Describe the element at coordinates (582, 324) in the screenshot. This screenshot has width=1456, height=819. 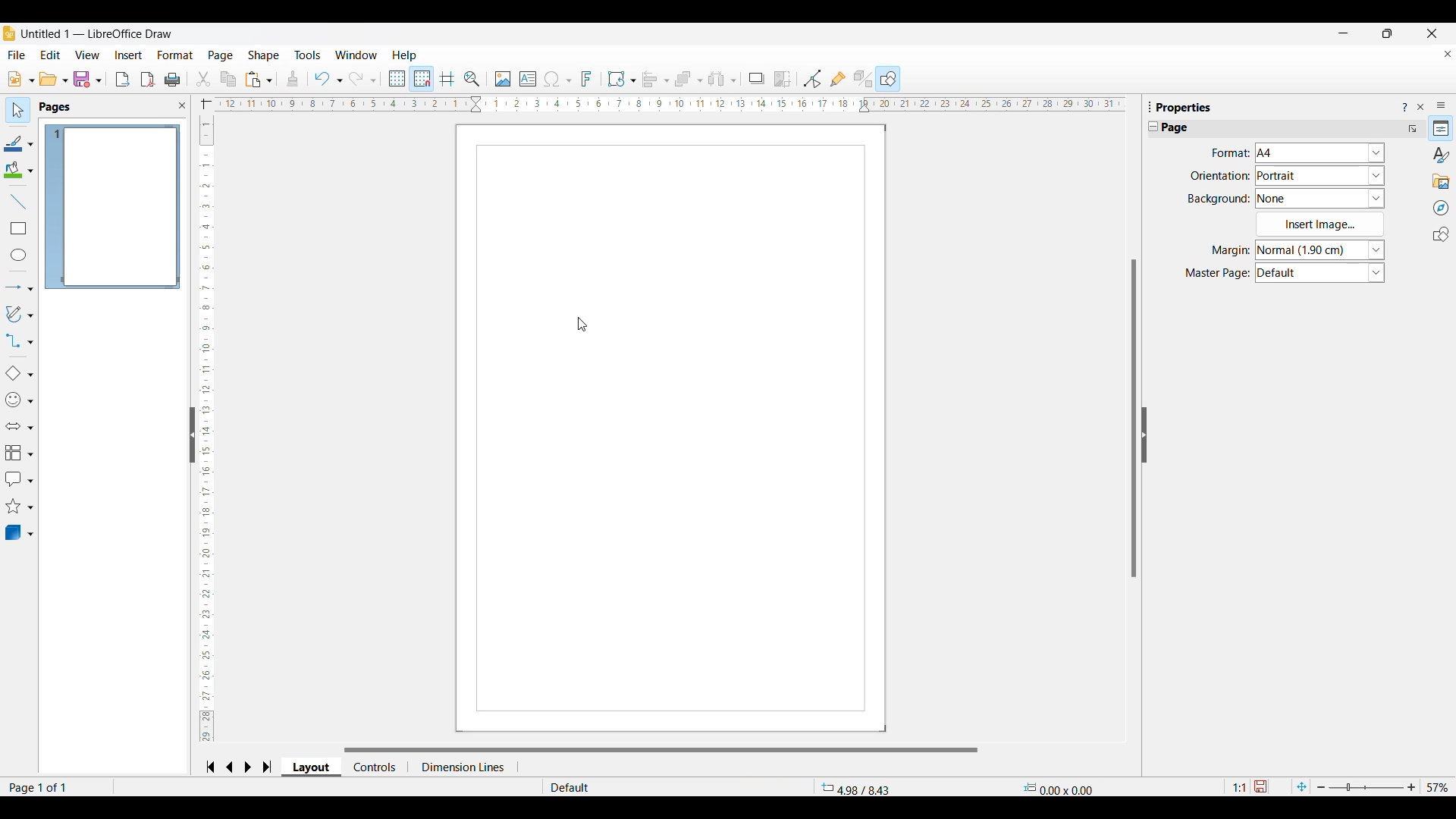
I see `Cursor` at that location.